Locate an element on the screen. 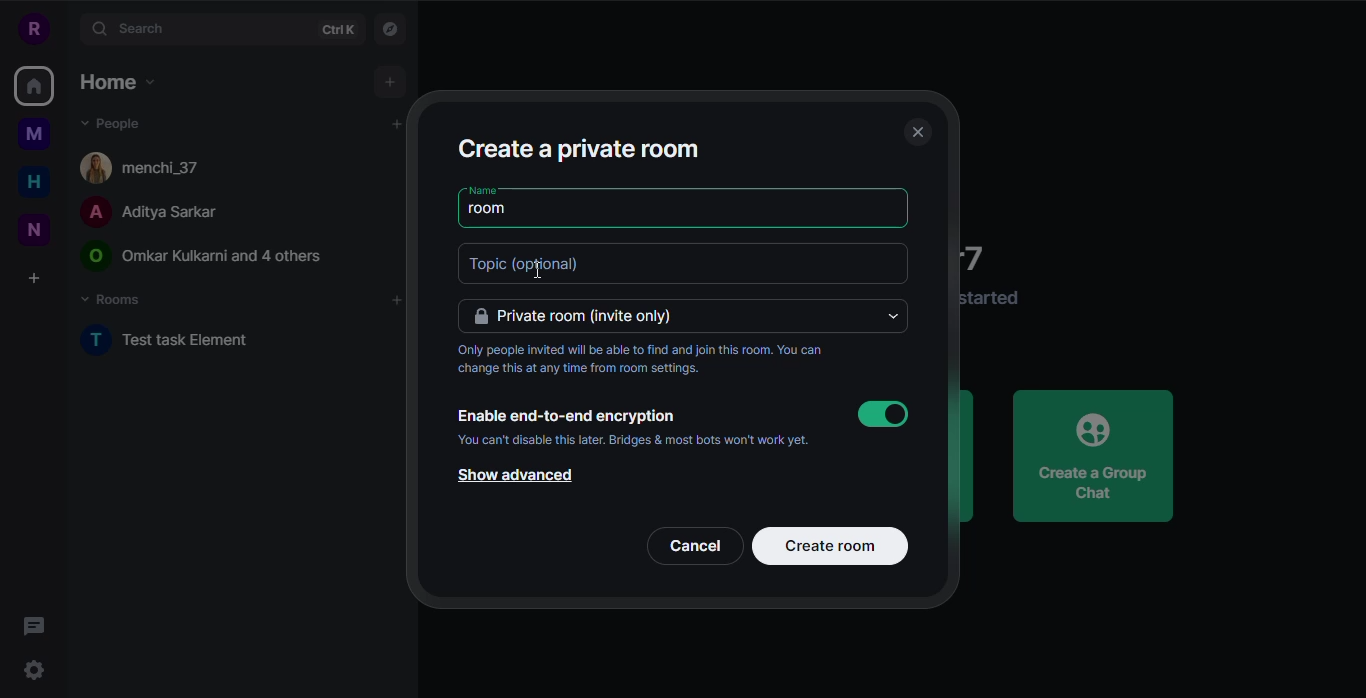 Image resolution: width=1366 pixels, height=698 pixels. Cursor on topic is located at coordinates (528, 265).